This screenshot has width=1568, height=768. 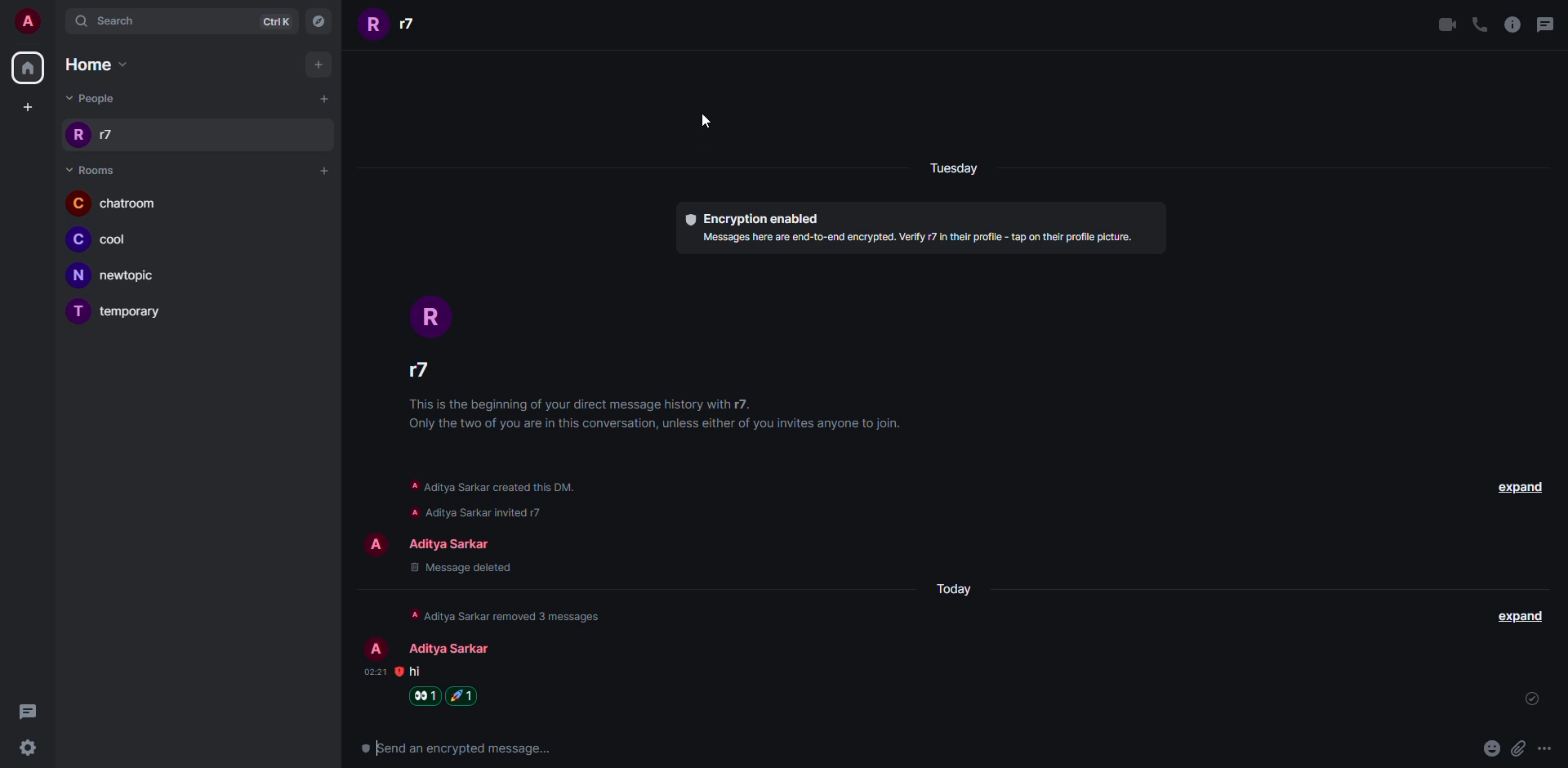 I want to click on day, so click(x=952, y=169).